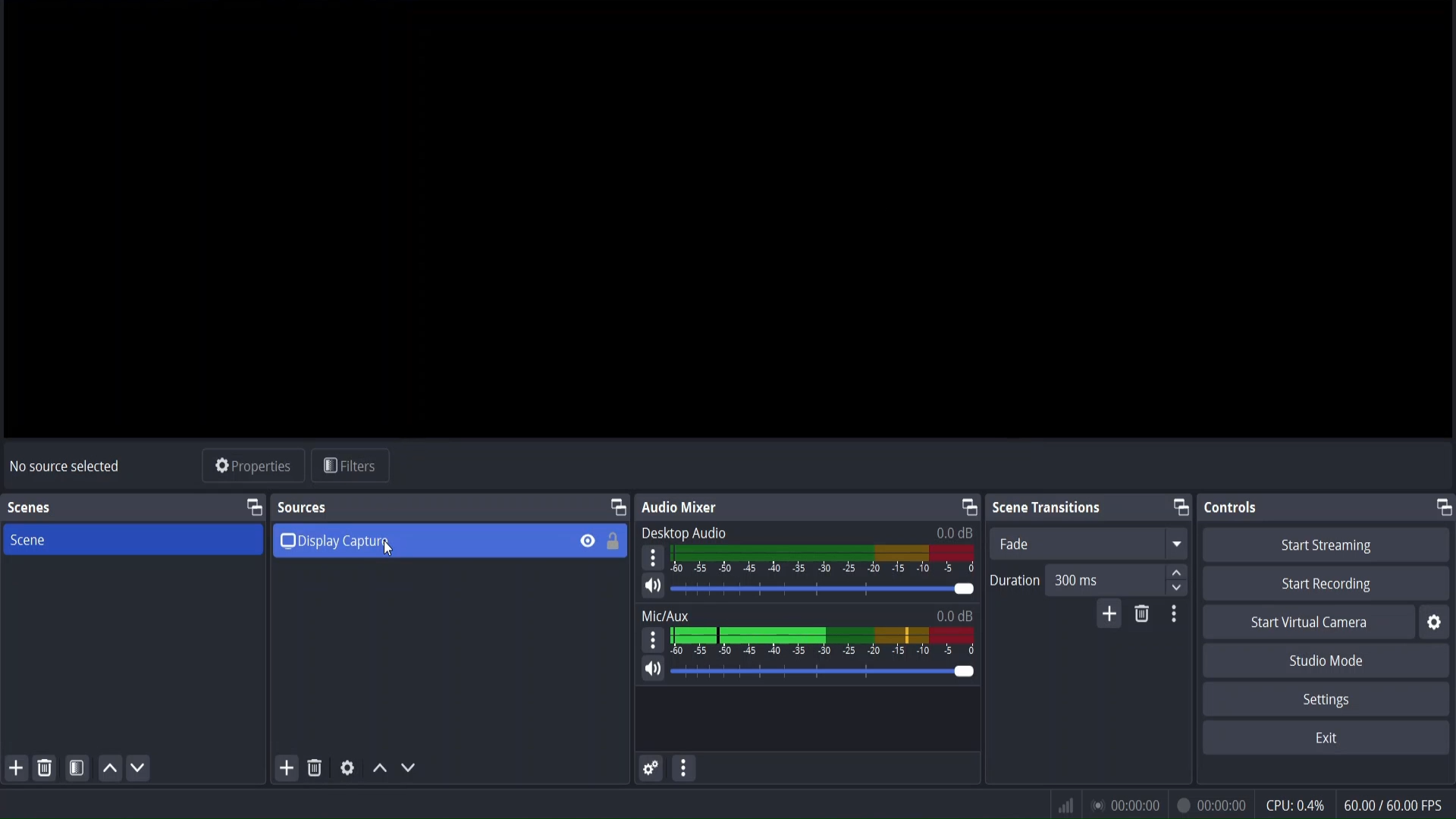 The height and width of the screenshot is (819, 1456). I want to click on add configurable transitions, so click(1109, 616).